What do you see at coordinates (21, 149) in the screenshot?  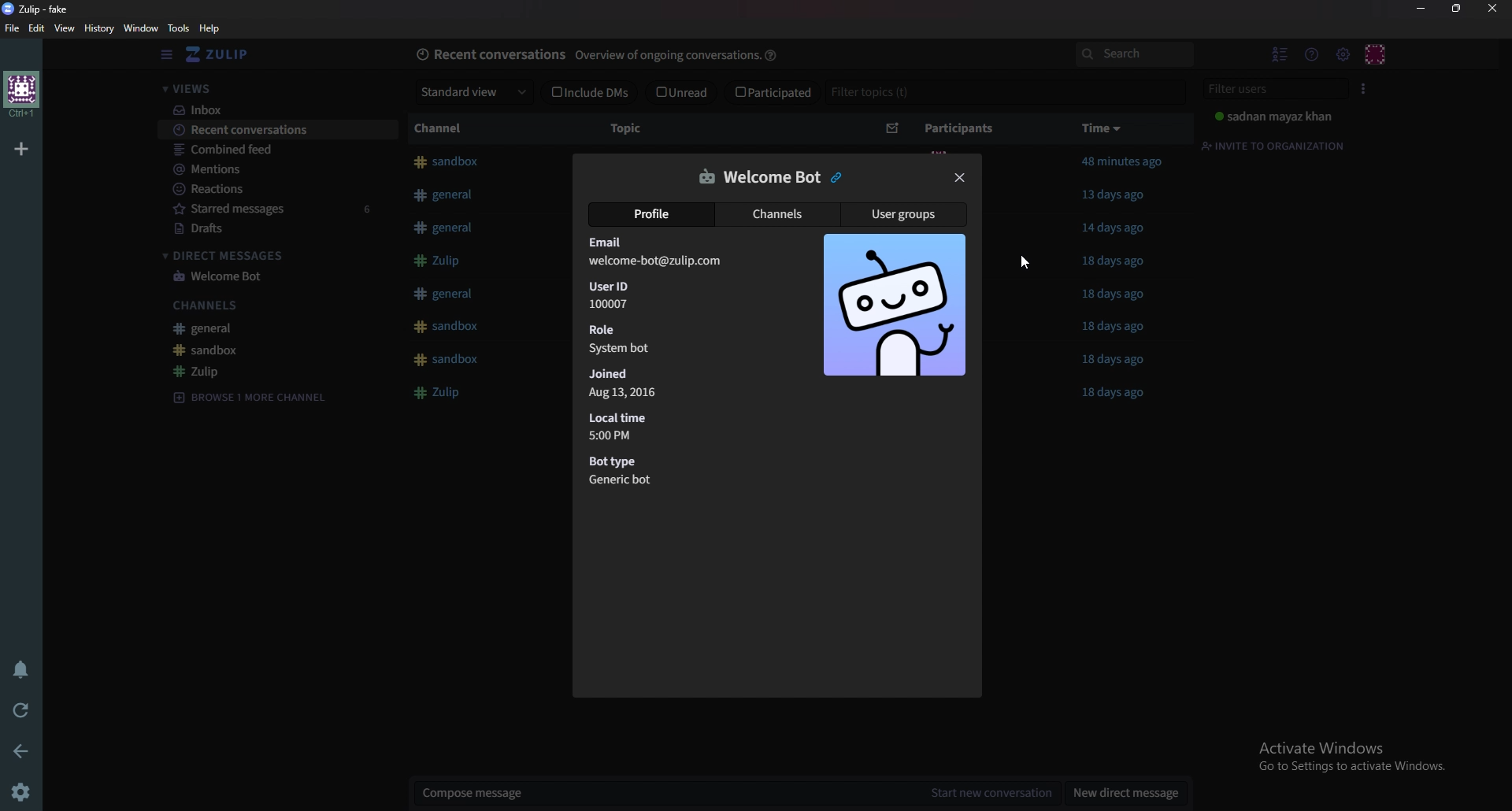 I see `Add organization` at bounding box center [21, 149].